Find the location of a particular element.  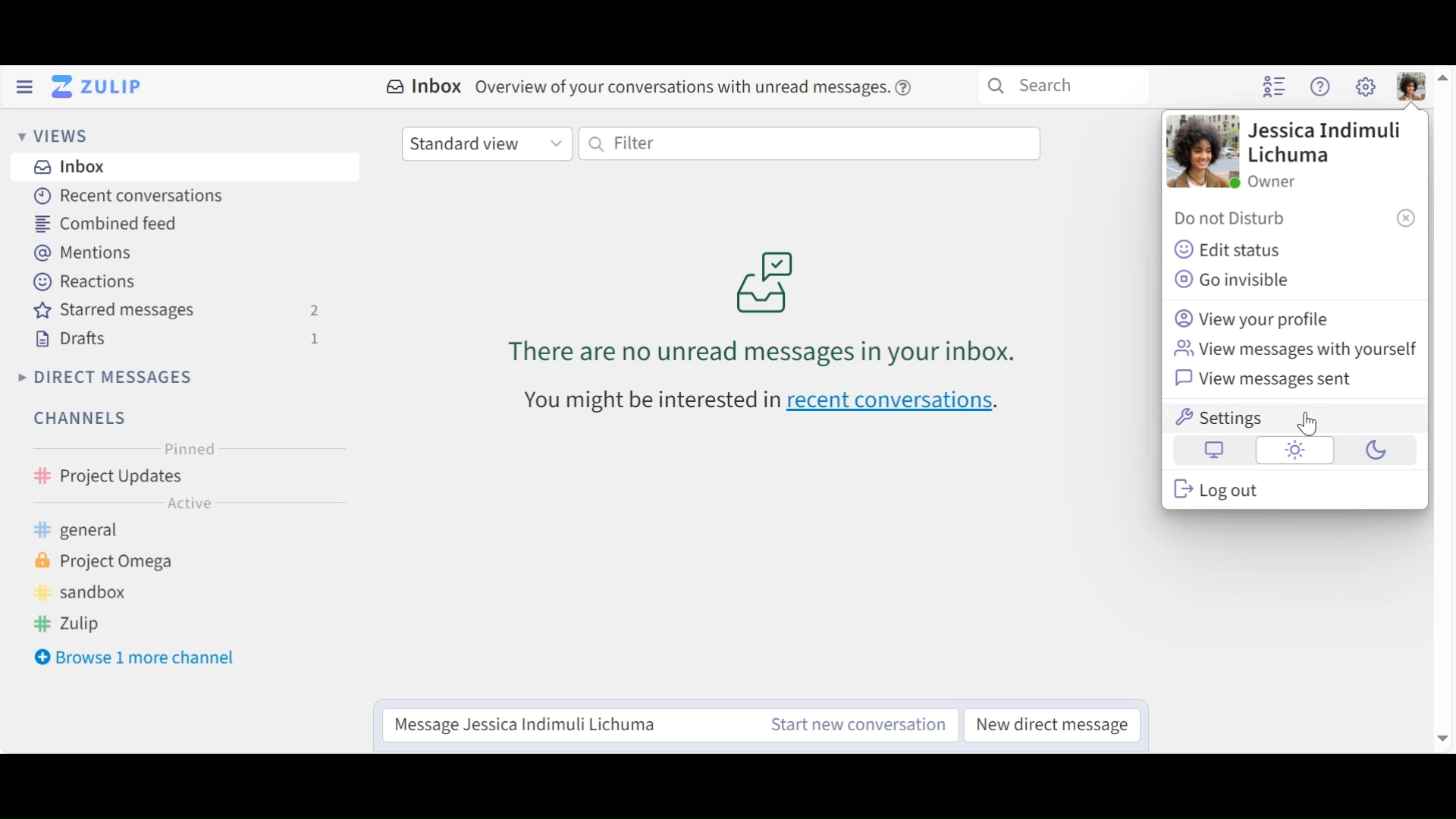

Filter by text is located at coordinates (811, 144).